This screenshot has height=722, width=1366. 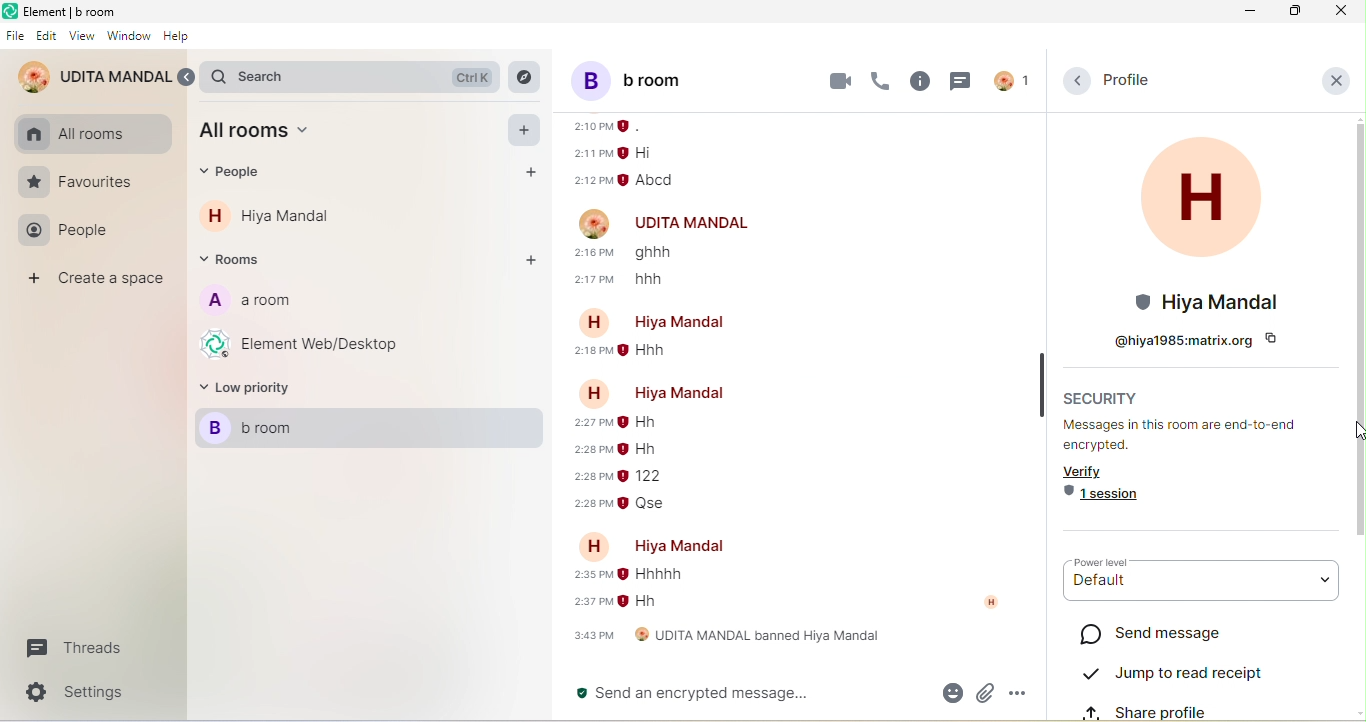 I want to click on read by hiya mandal, so click(x=996, y=608).